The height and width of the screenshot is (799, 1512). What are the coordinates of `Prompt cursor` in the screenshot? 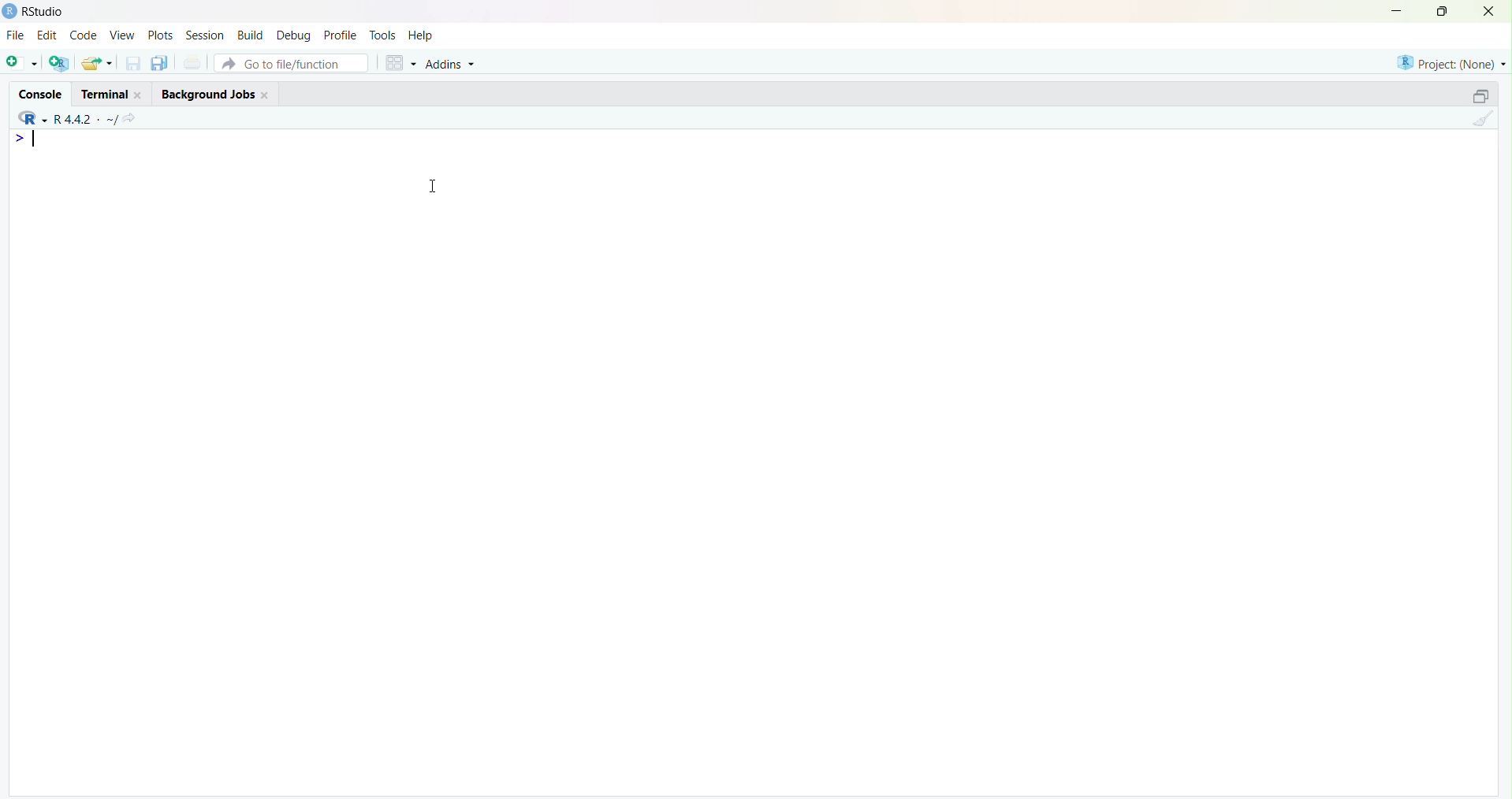 It's located at (18, 139).